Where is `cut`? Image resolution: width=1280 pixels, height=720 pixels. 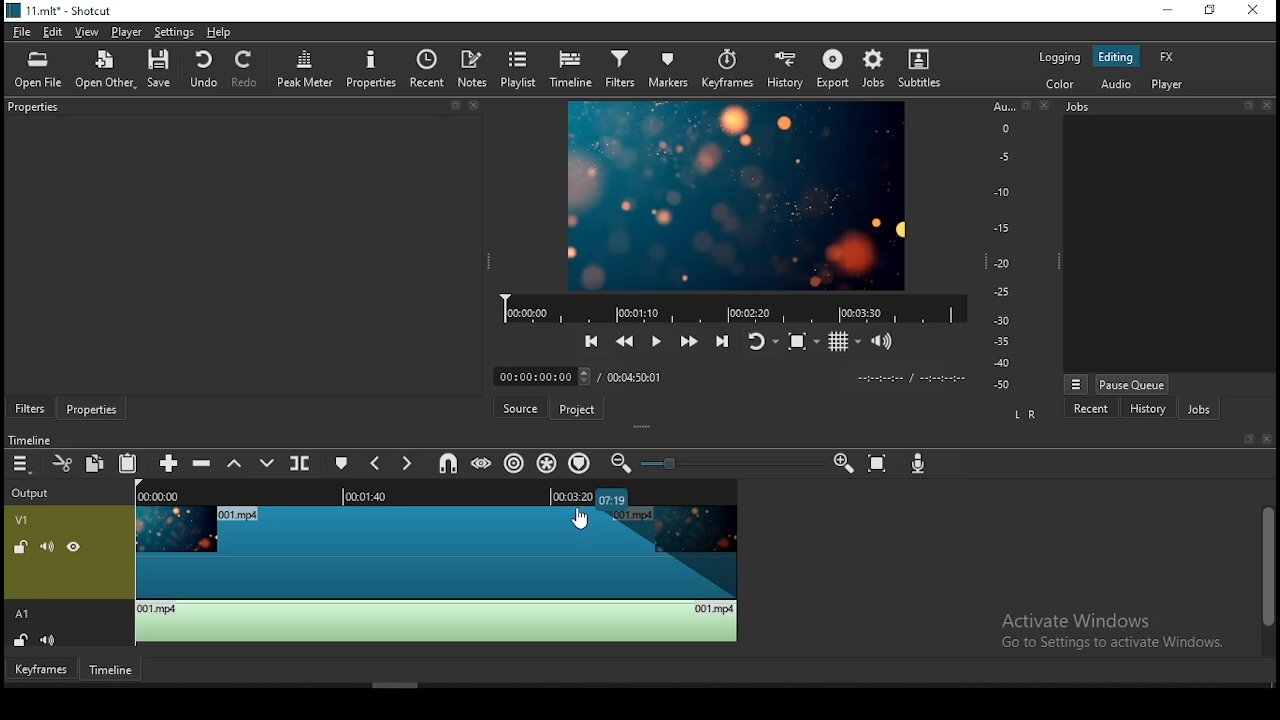 cut is located at coordinates (58, 462).